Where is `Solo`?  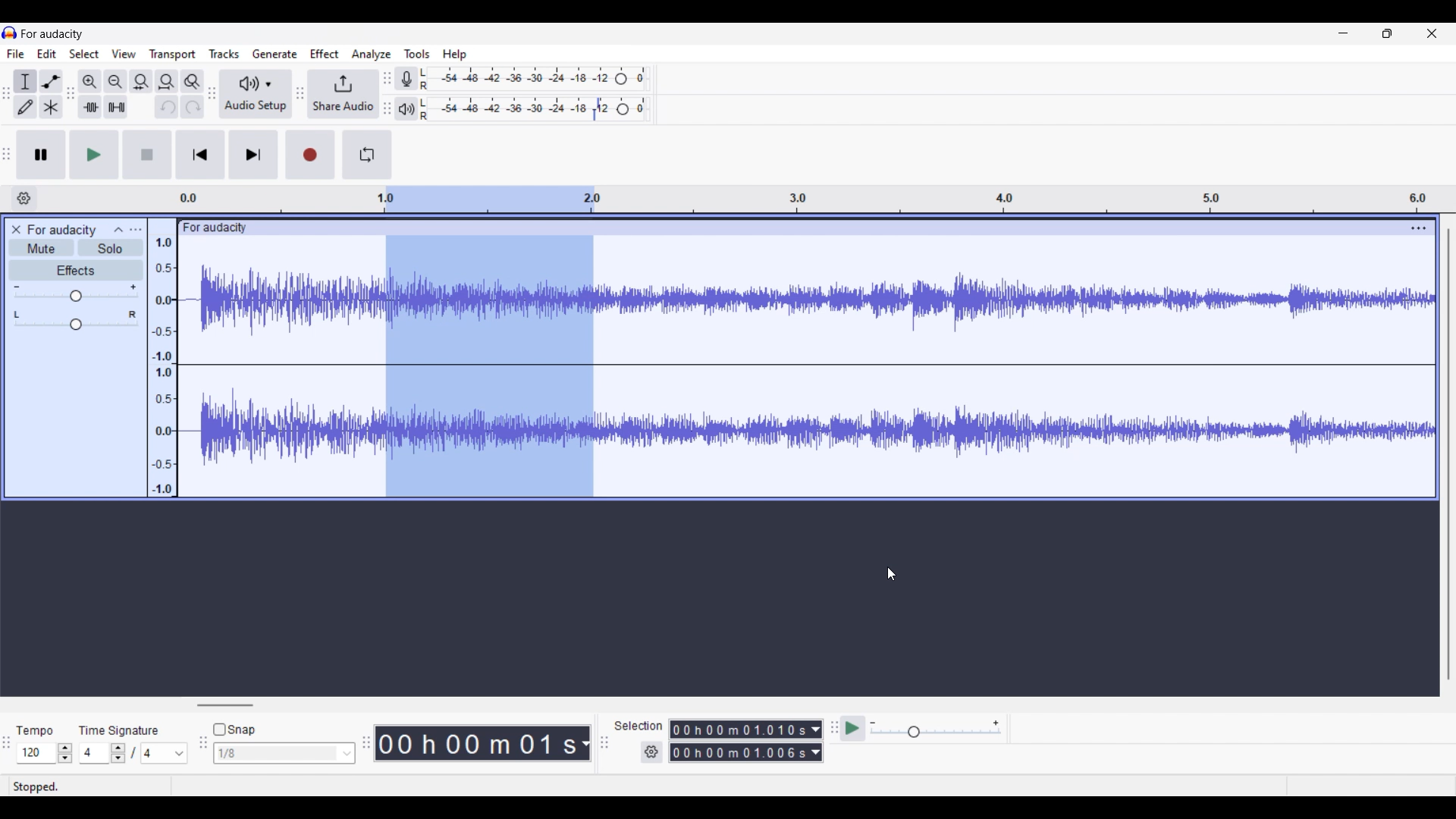
Solo is located at coordinates (111, 249).